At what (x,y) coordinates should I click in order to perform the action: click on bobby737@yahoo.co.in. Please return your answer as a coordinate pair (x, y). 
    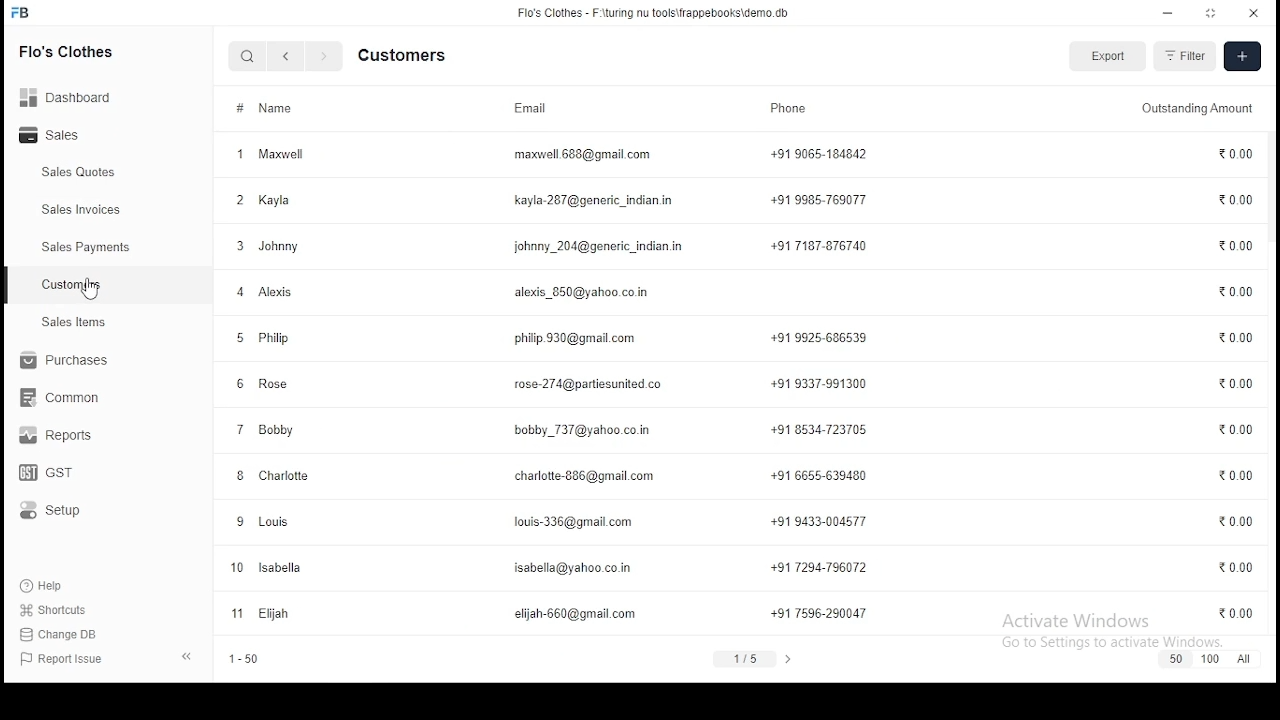
    Looking at the image, I should click on (588, 430).